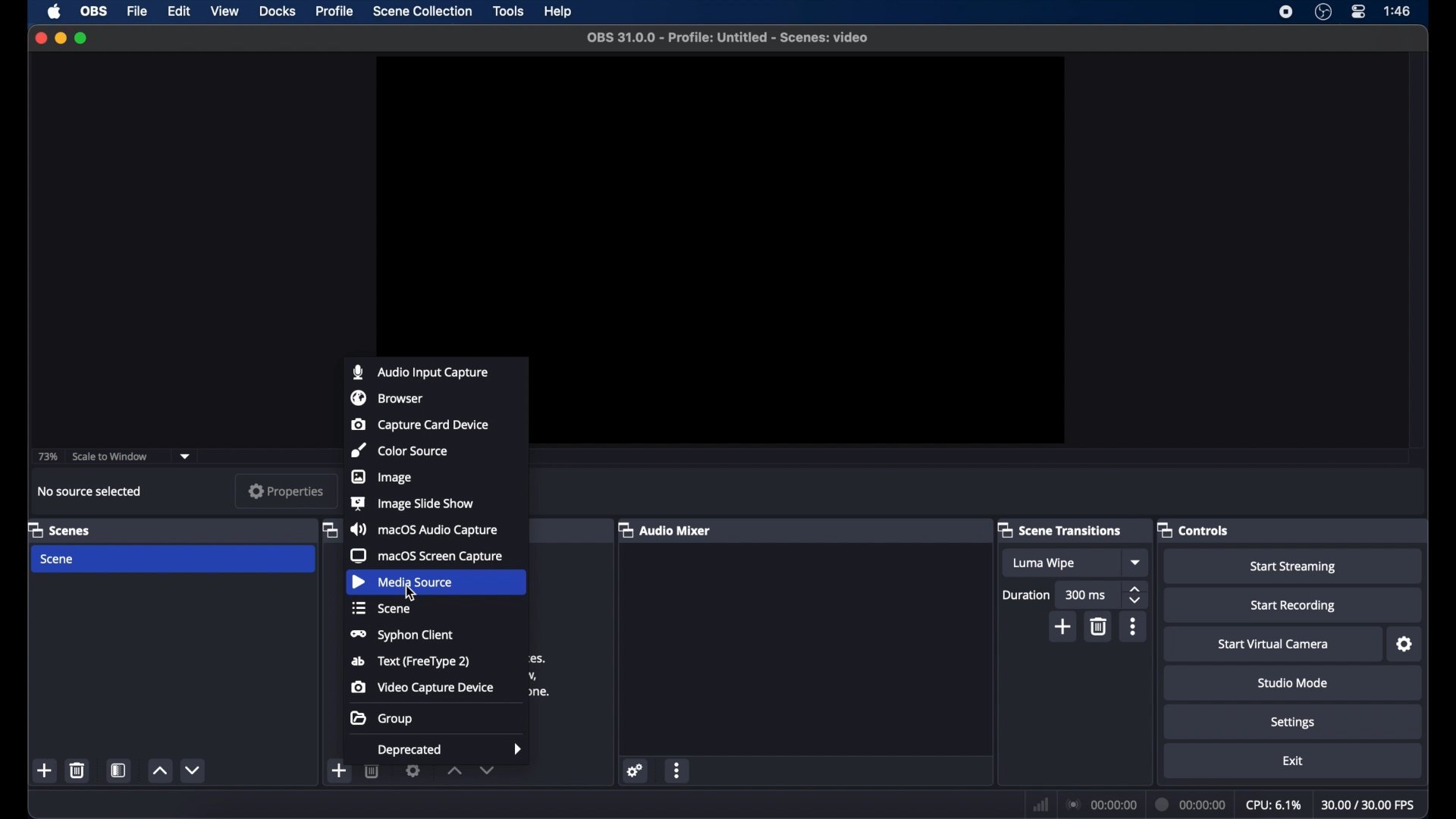  Describe the element at coordinates (95, 11) in the screenshot. I see `obs` at that location.